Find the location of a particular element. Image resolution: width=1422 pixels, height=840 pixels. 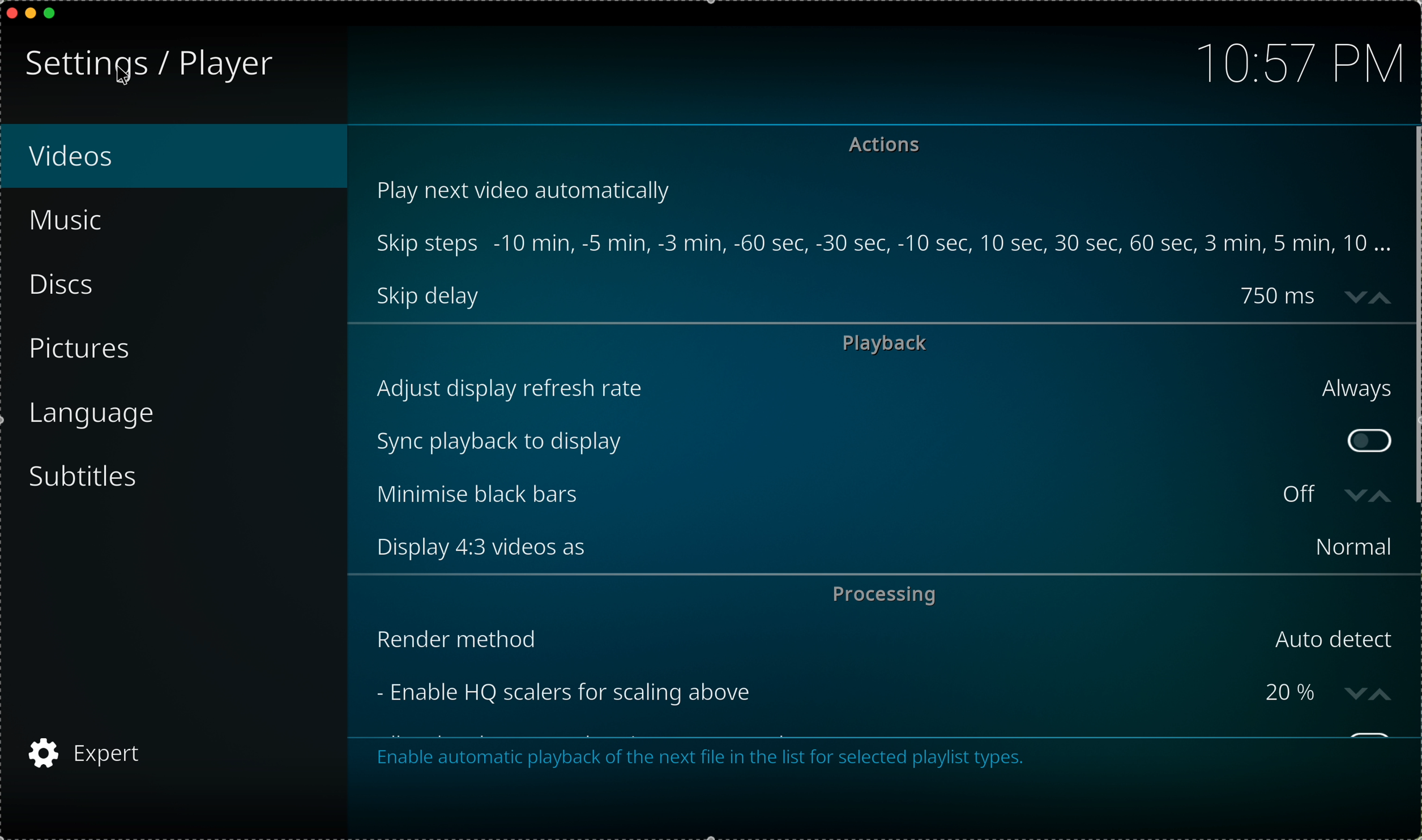

actions is located at coordinates (889, 147).